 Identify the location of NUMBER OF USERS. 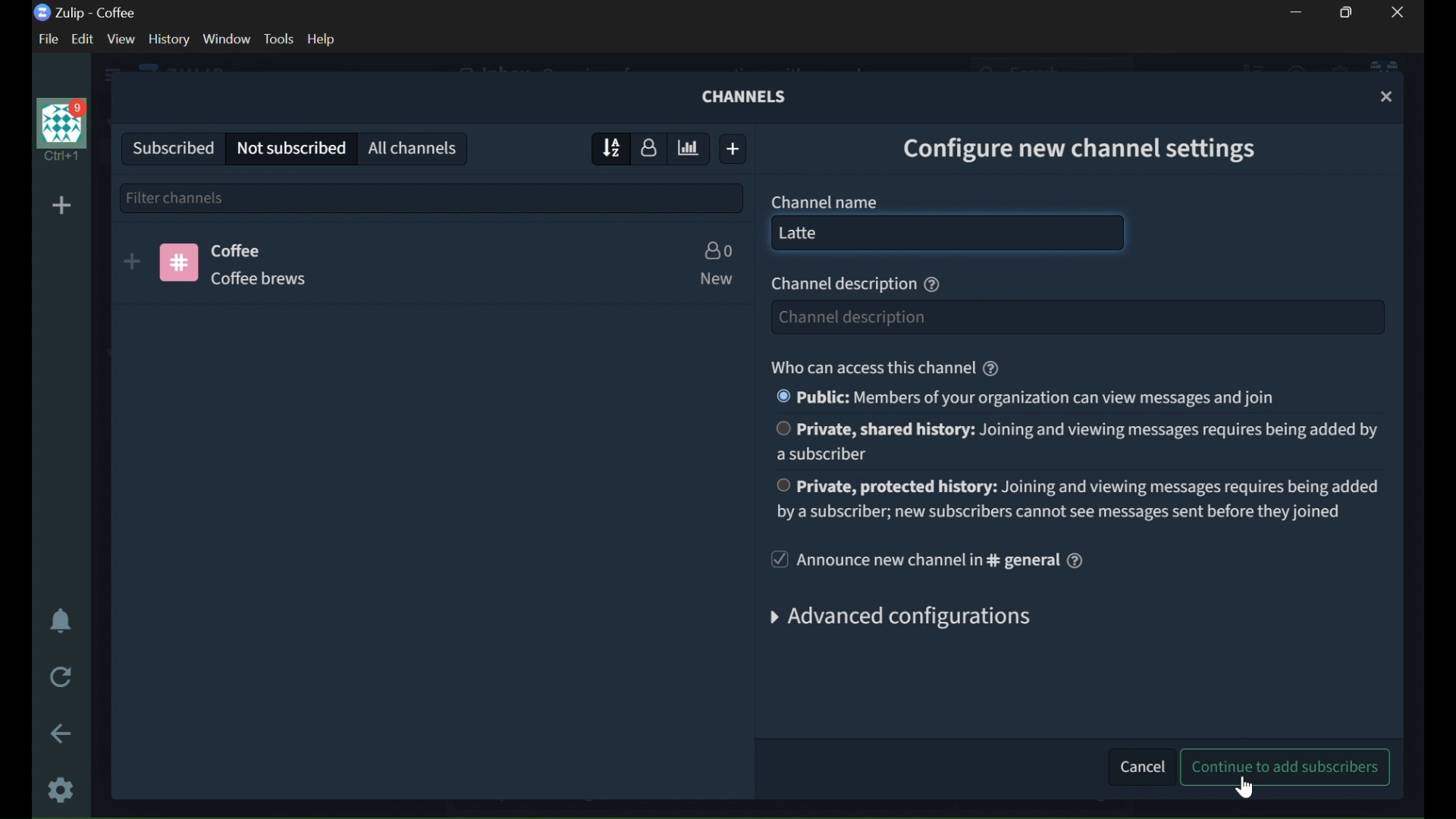
(717, 250).